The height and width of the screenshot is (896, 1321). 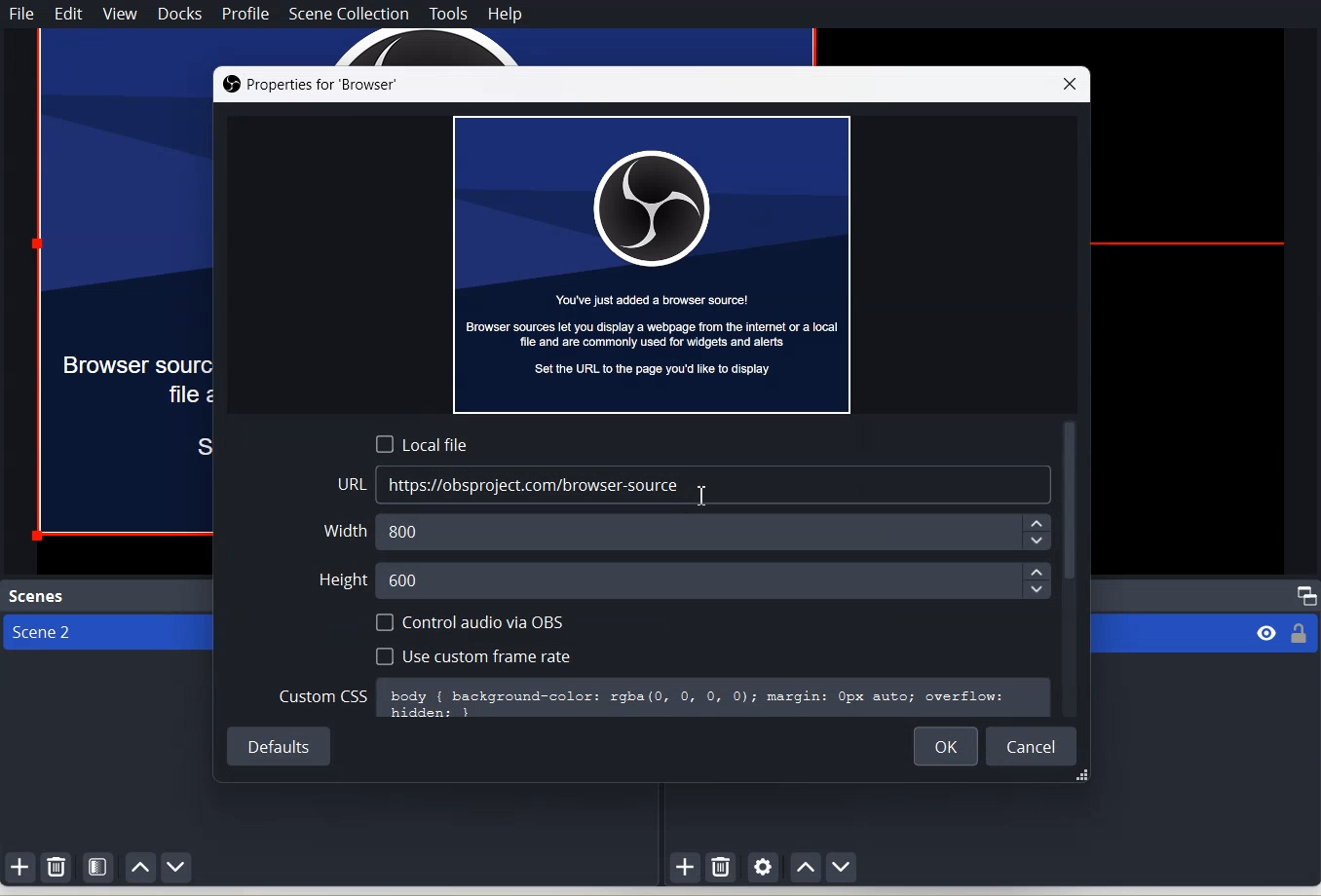 I want to click on Scene Collection, so click(x=348, y=14).